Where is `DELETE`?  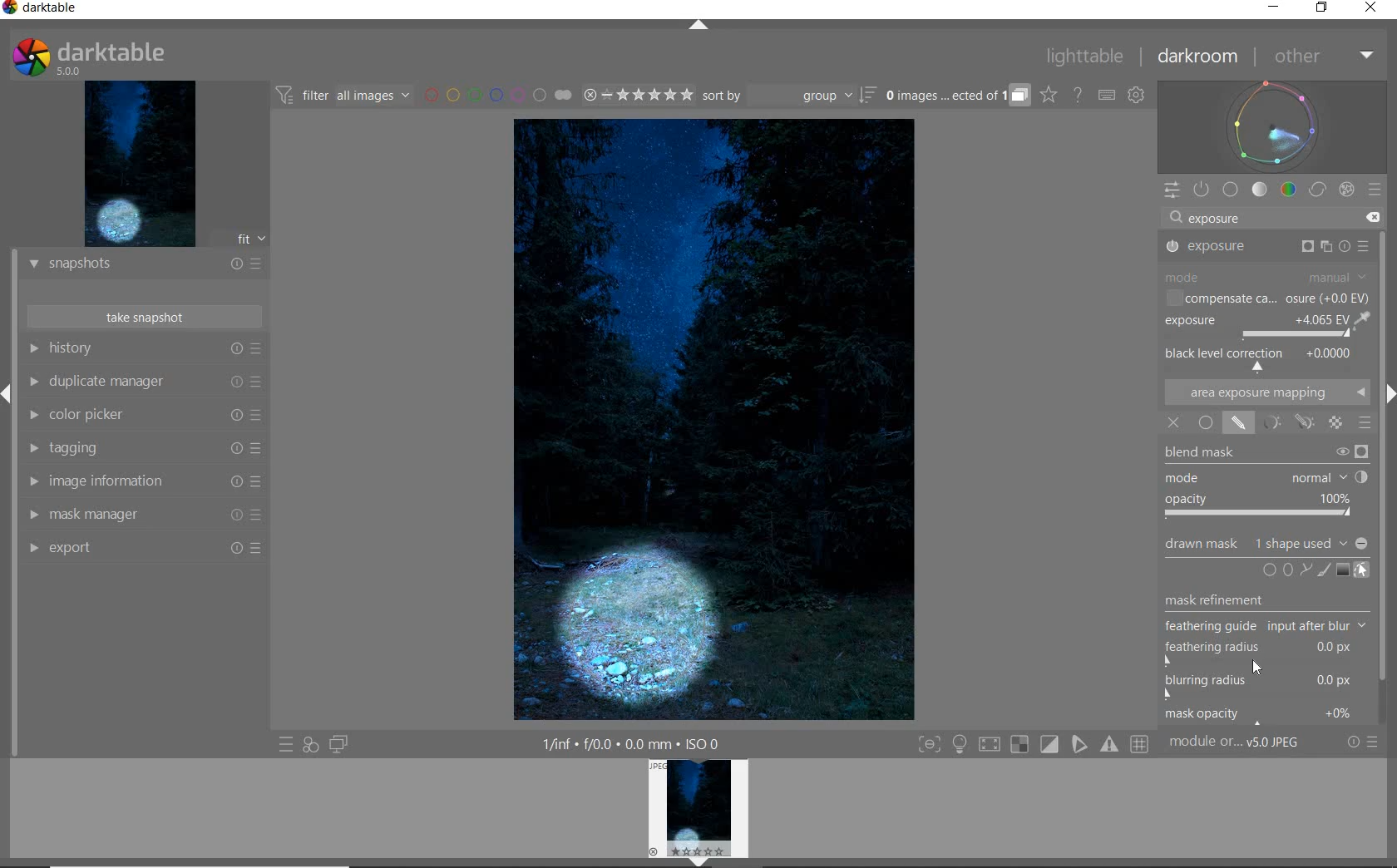
DELETE is located at coordinates (1373, 218).